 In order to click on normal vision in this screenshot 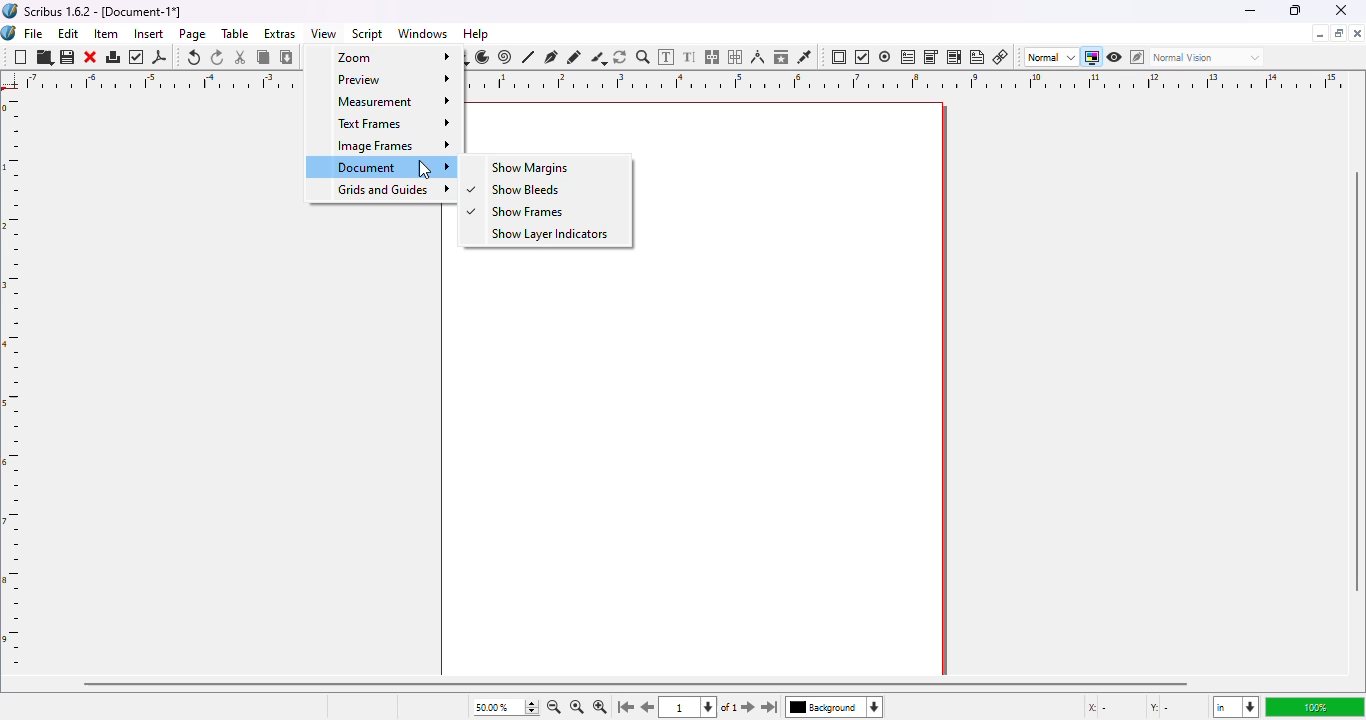, I will do `click(1209, 57)`.